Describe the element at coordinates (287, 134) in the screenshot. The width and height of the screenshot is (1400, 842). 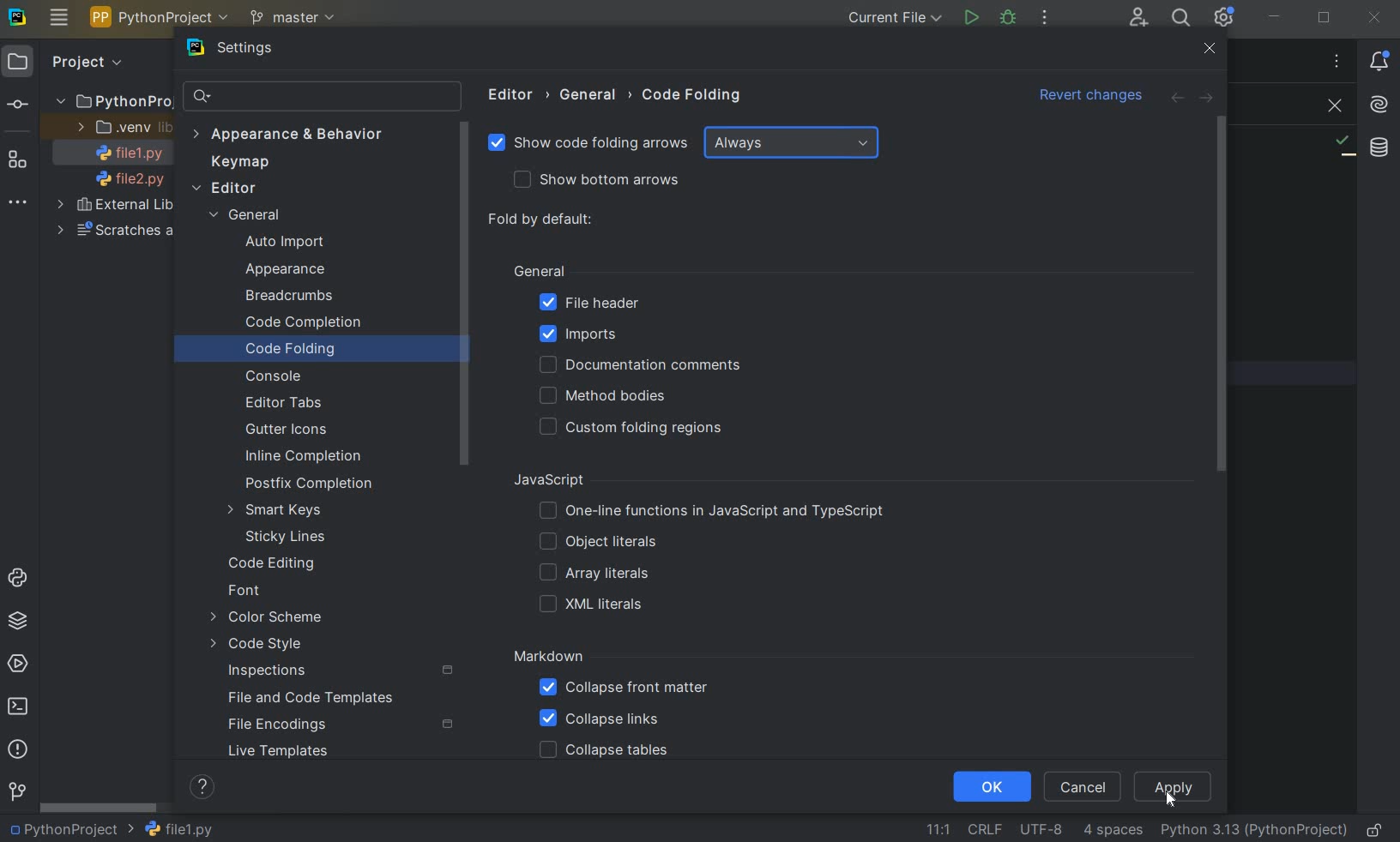
I see `APPEARANCE & BEHAVIOR` at that location.